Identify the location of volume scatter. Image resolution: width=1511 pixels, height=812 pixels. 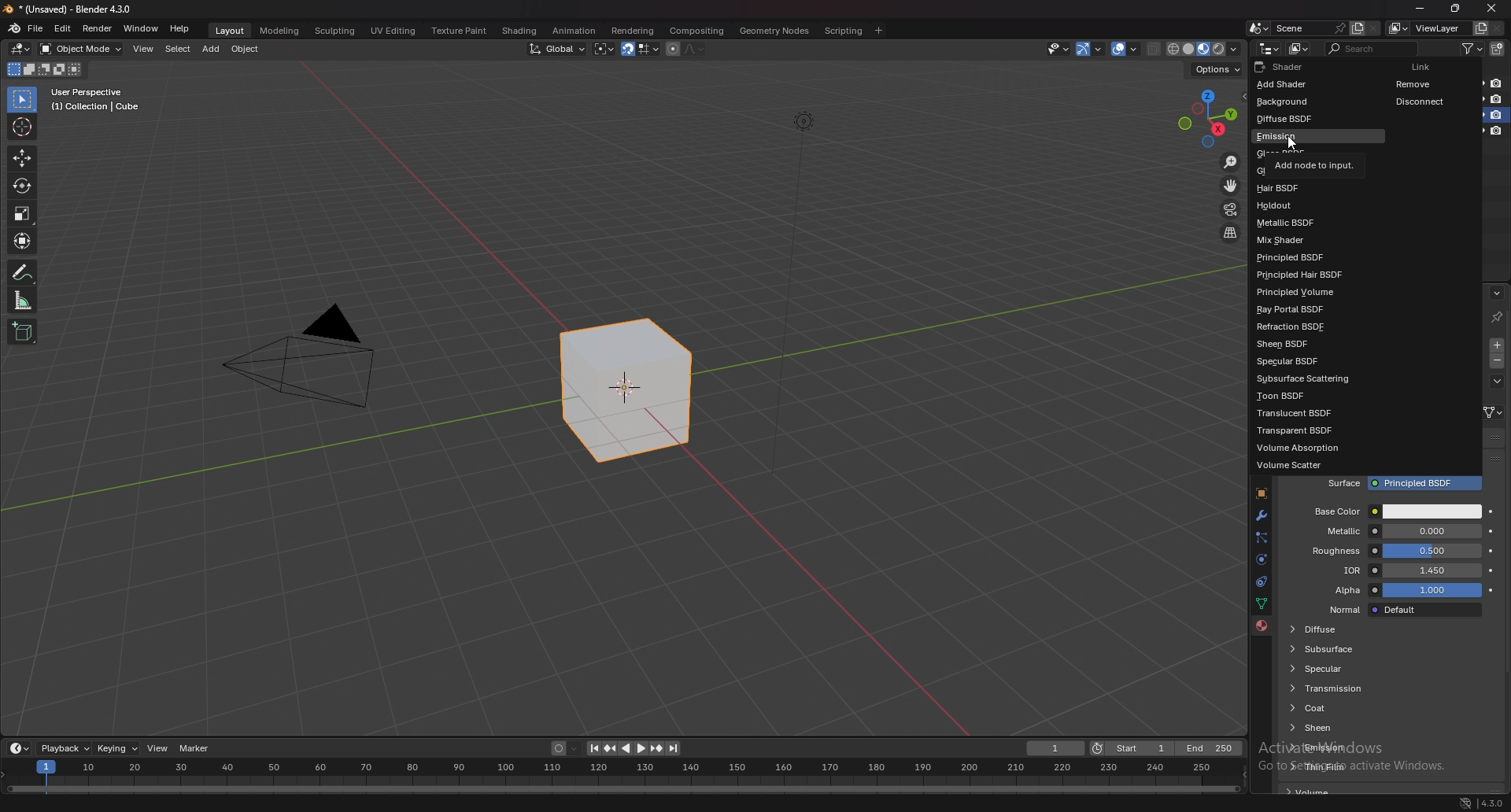
(1302, 466).